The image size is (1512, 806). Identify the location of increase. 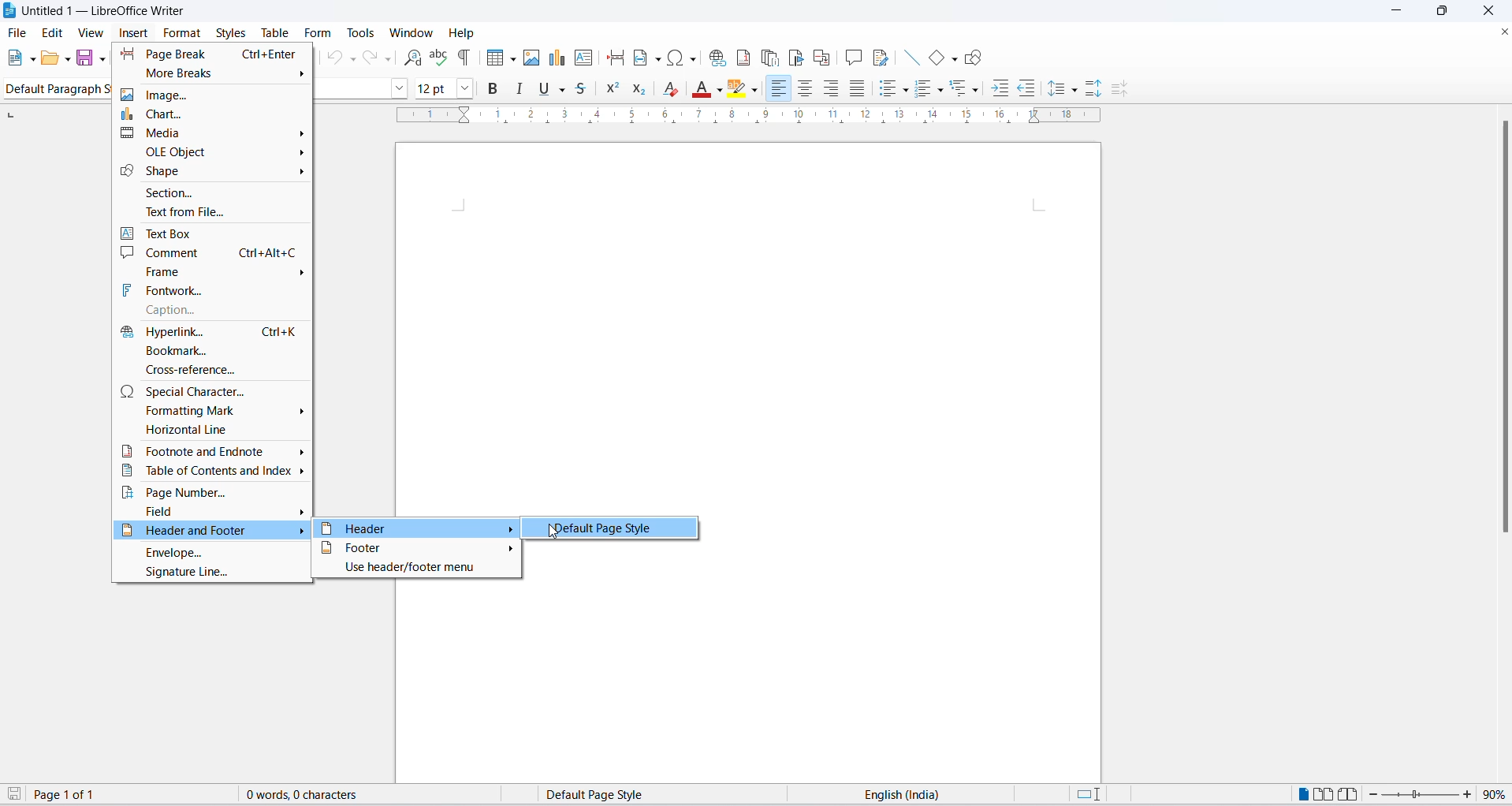
(1469, 794).